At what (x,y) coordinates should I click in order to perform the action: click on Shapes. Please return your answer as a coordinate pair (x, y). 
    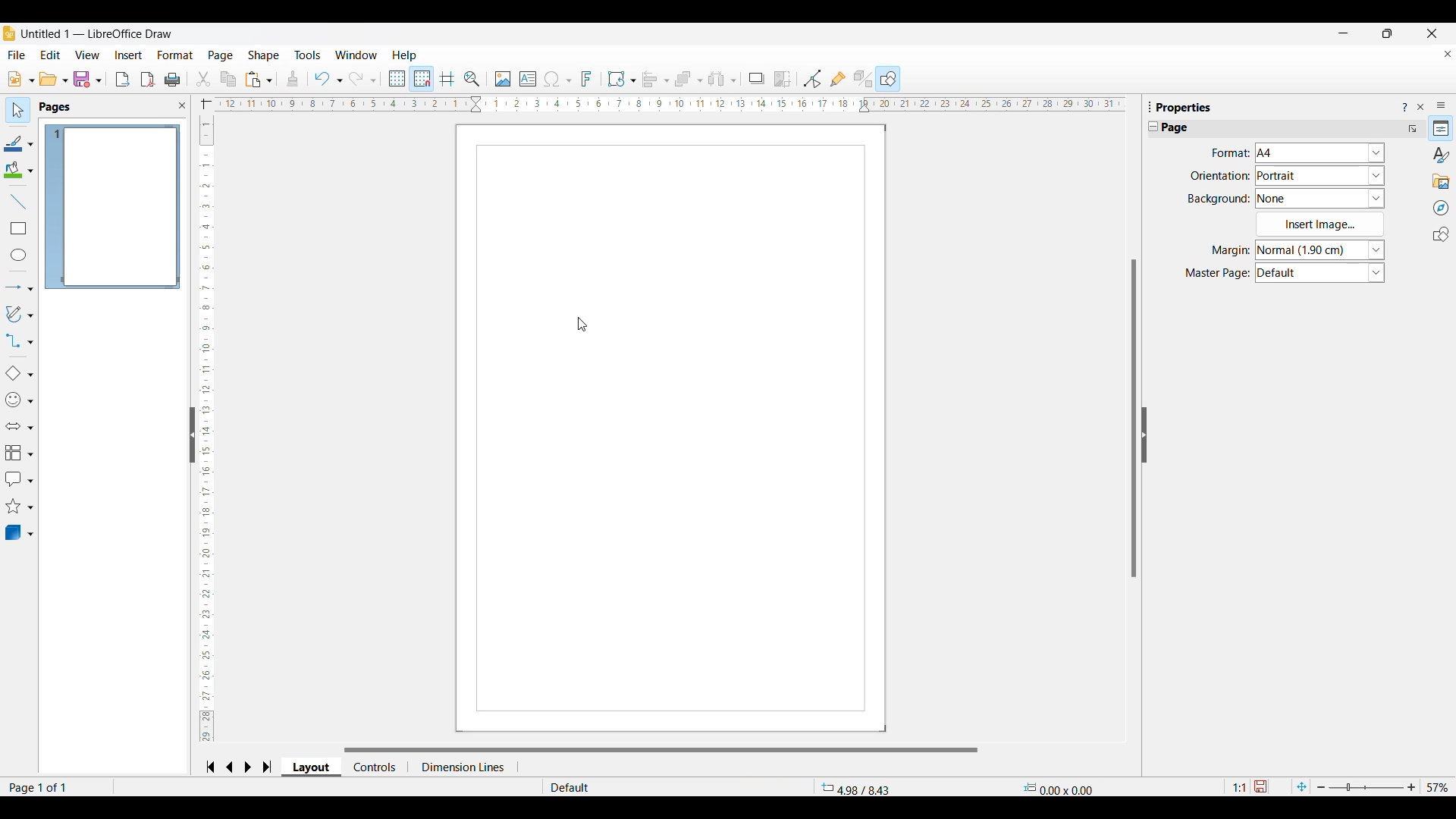
    Looking at the image, I should click on (1442, 234).